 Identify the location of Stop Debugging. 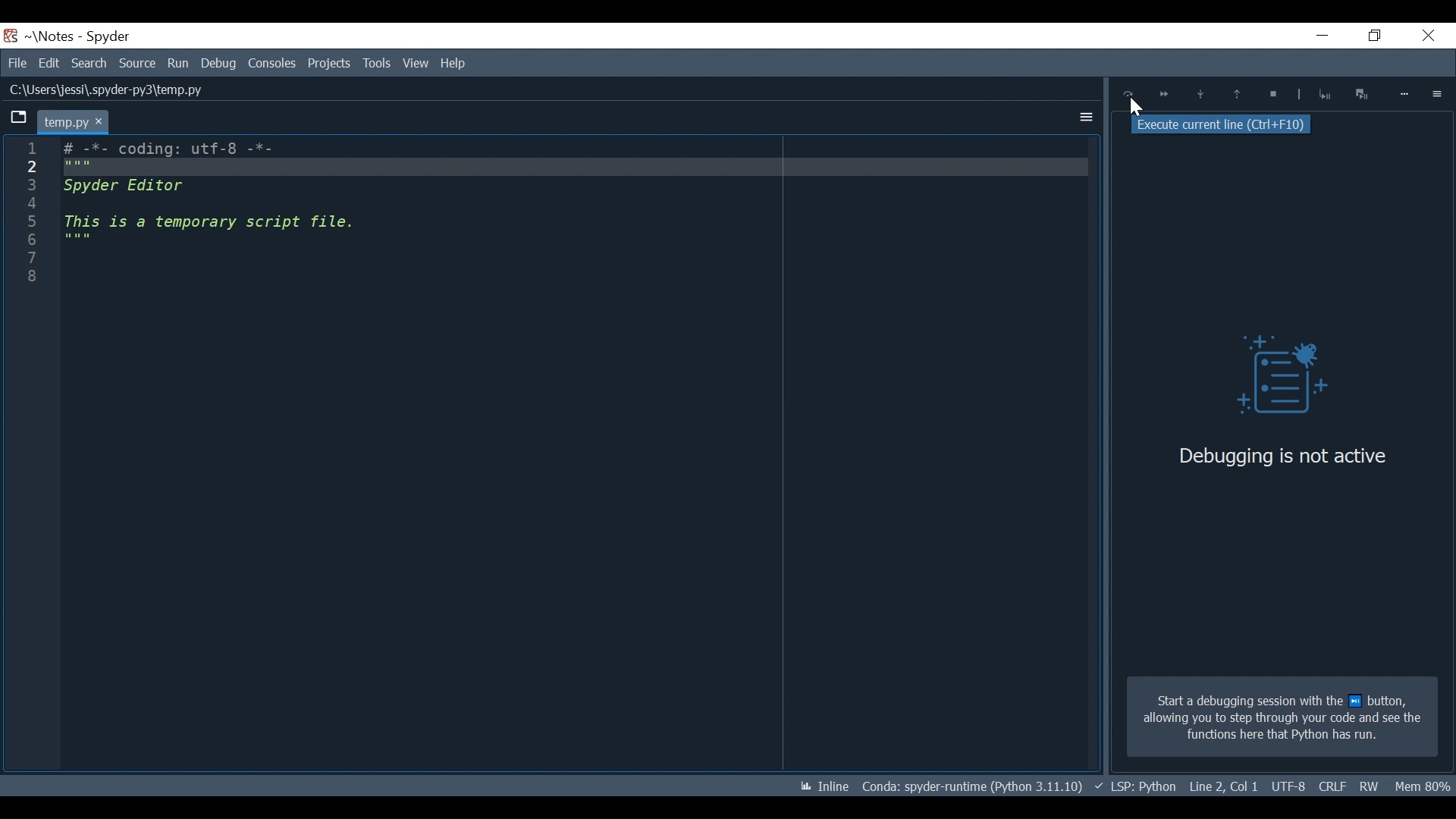
(1315, 93).